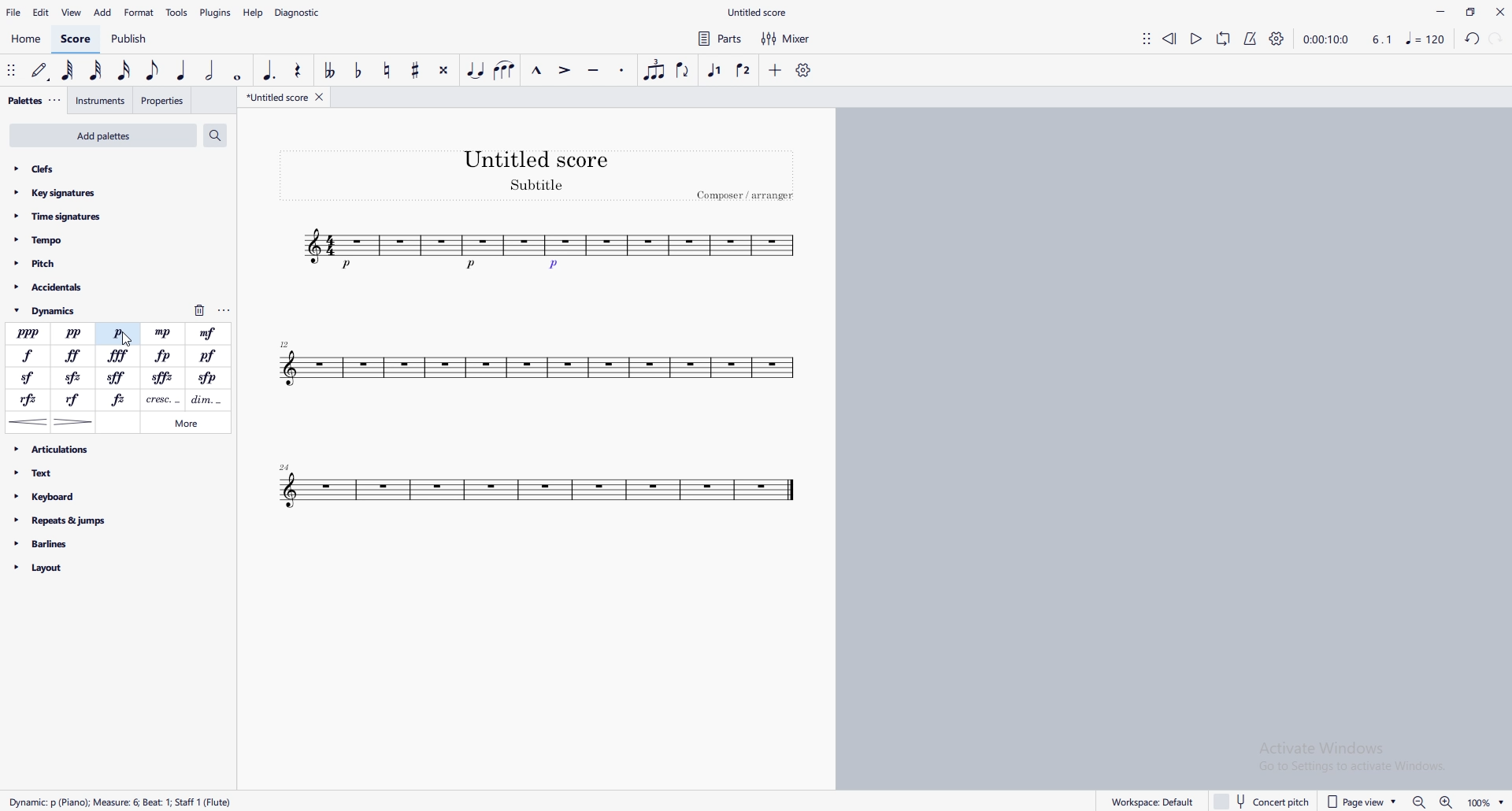 This screenshot has width=1512, height=811. Describe the element at coordinates (476, 72) in the screenshot. I see `tie` at that location.